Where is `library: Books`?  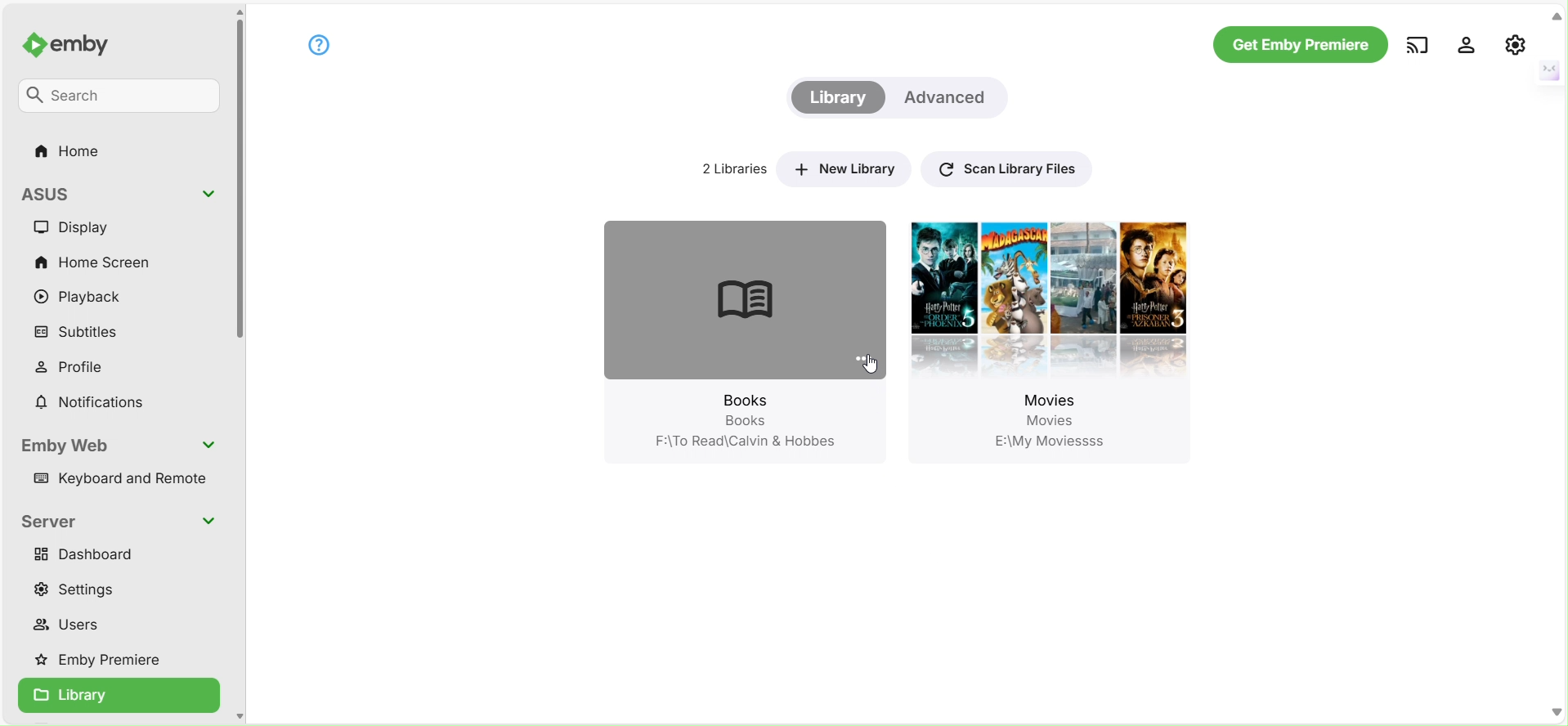
library: Books is located at coordinates (715, 321).